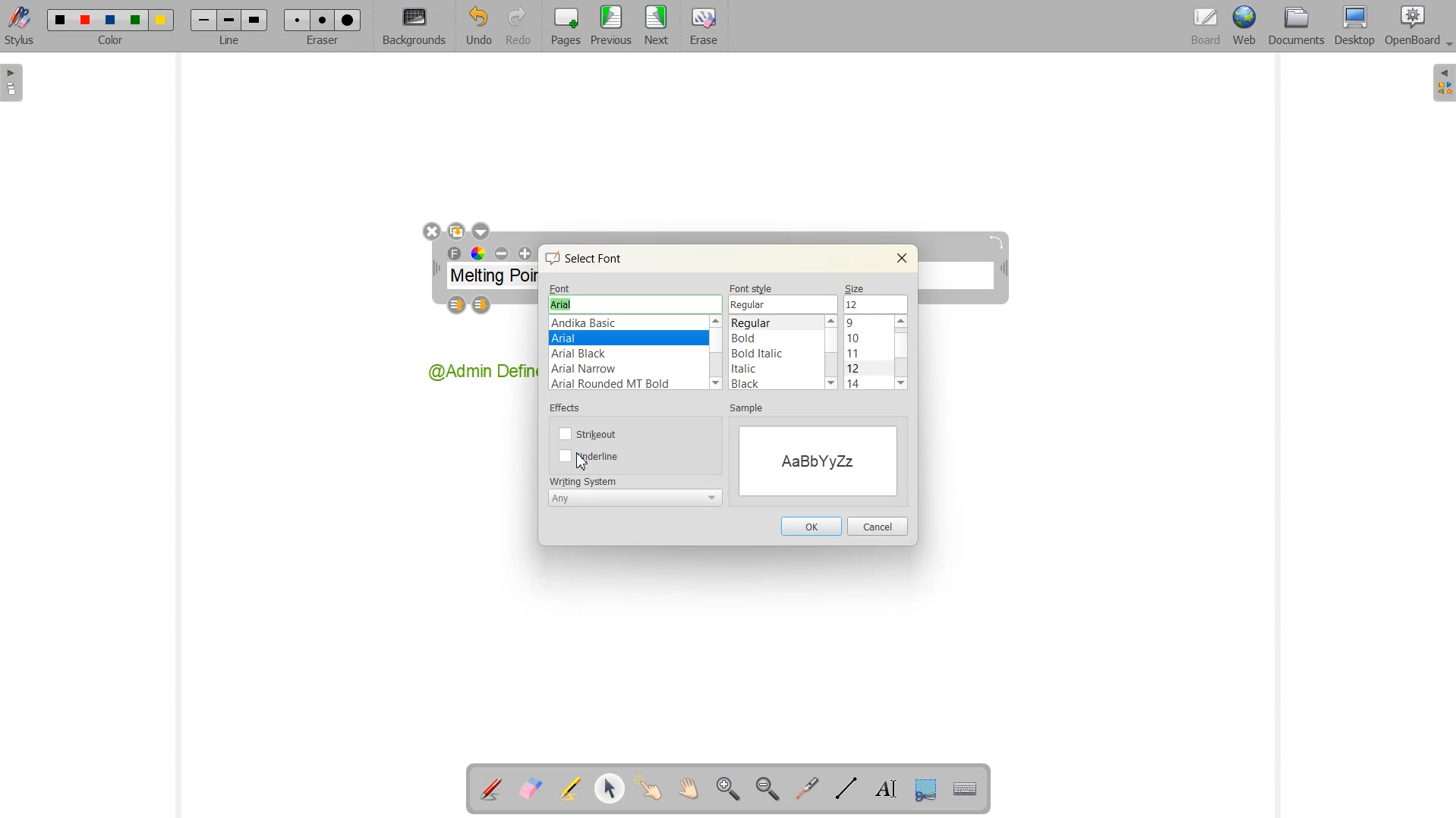 The height and width of the screenshot is (818, 1456). What do you see at coordinates (1356, 27) in the screenshot?
I see `Desktop` at bounding box center [1356, 27].